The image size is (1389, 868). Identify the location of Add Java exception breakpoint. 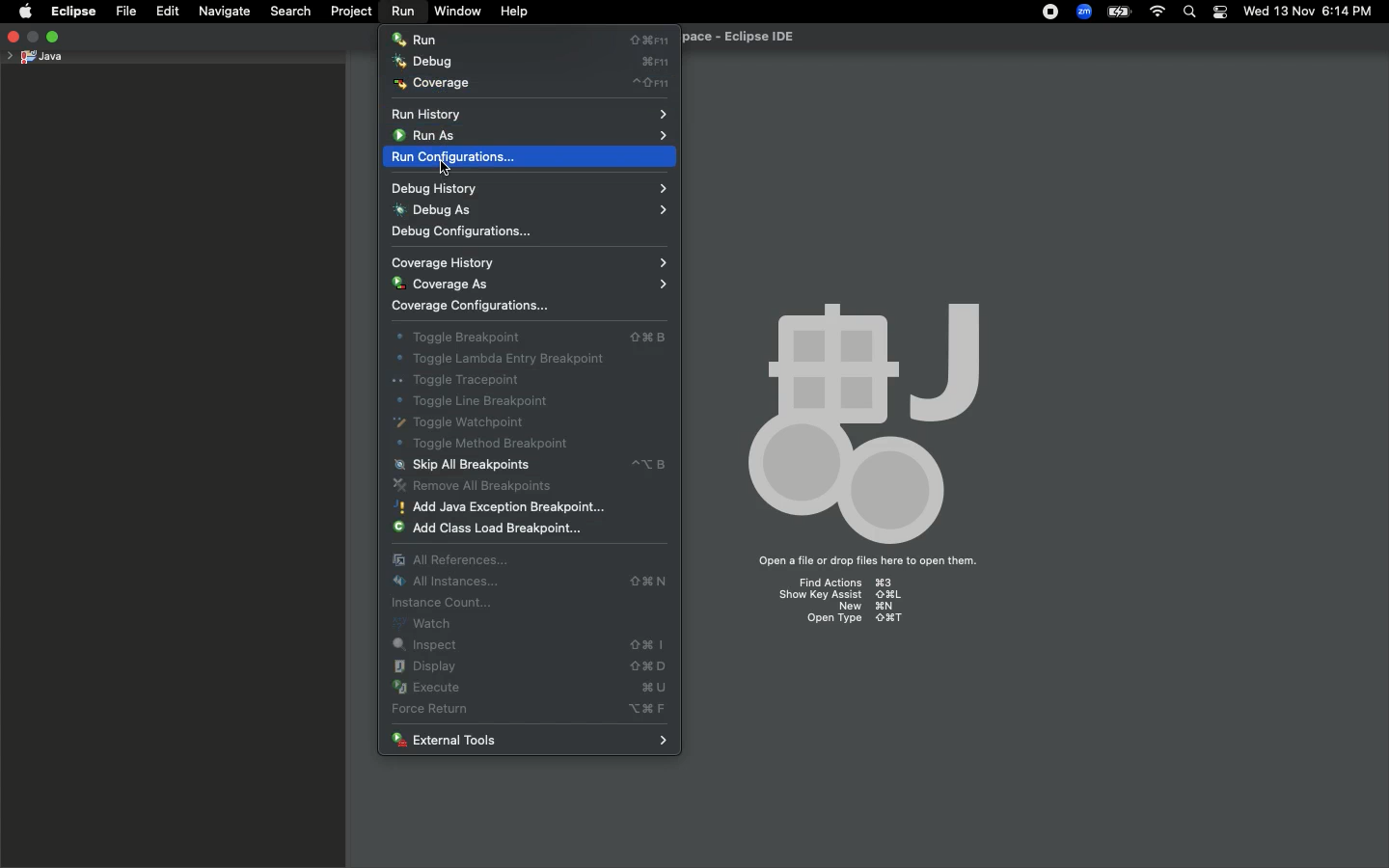
(501, 508).